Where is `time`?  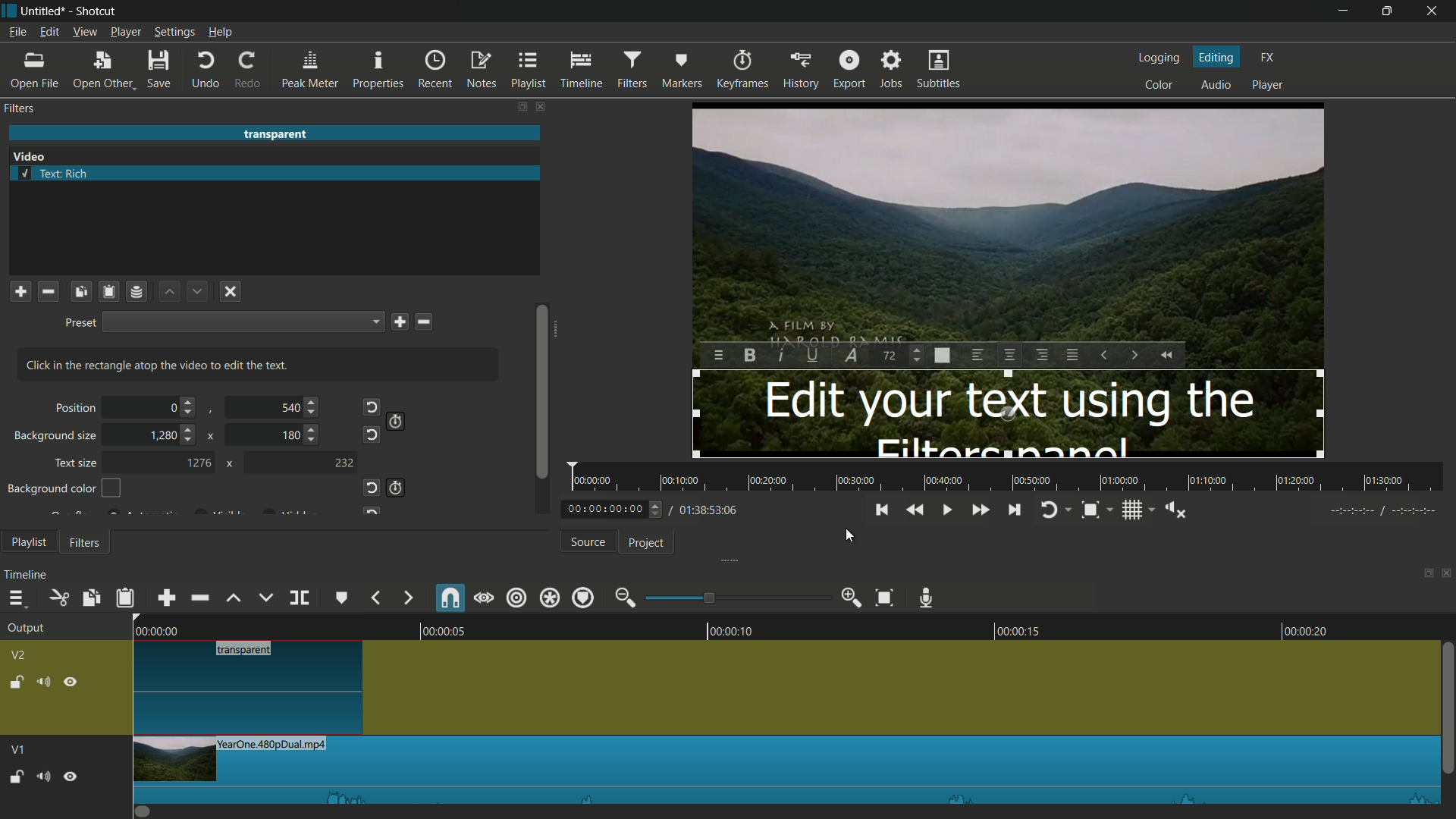
time is located at coordinates (649, 508).